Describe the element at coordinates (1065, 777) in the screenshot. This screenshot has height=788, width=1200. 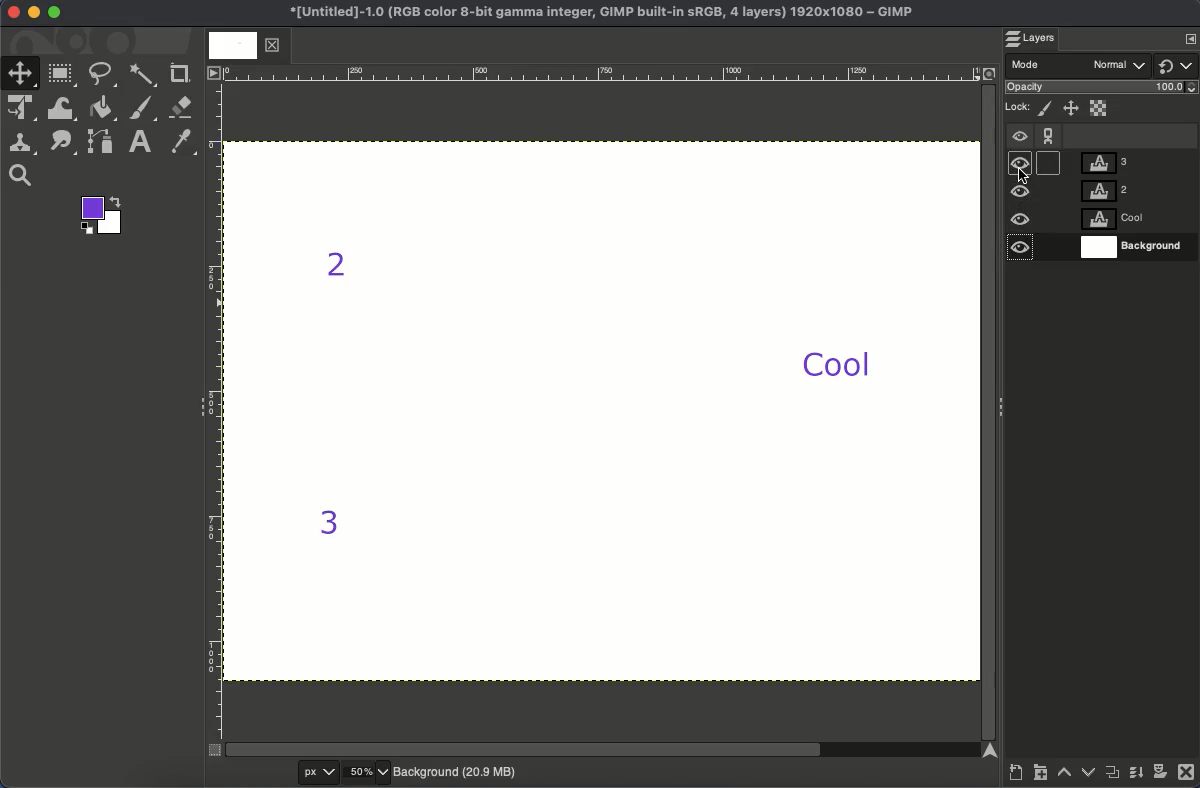
I see `Raise layer` at that location.